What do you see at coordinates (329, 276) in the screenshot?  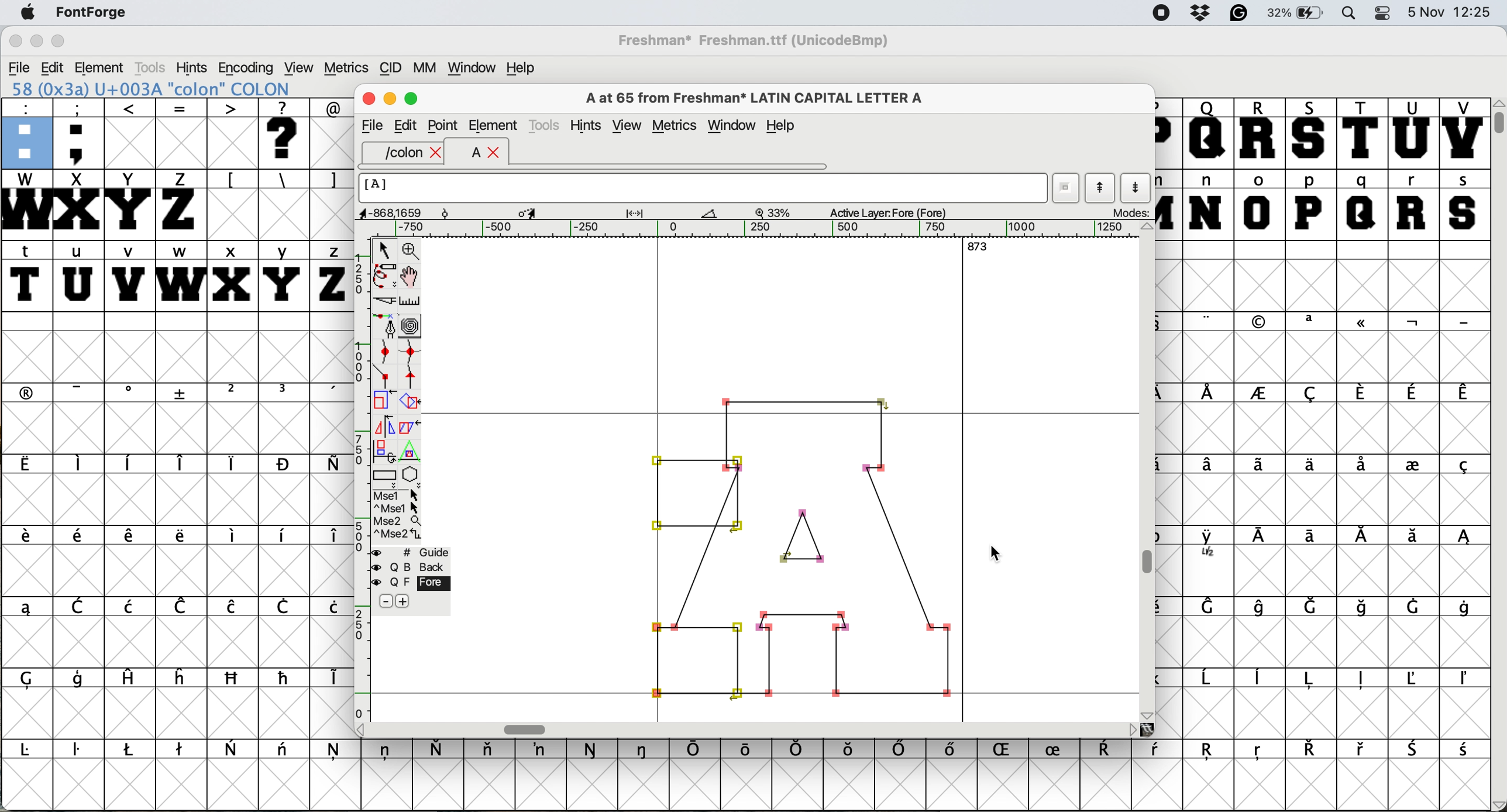 I see `z` at bounding box center [329, 276].